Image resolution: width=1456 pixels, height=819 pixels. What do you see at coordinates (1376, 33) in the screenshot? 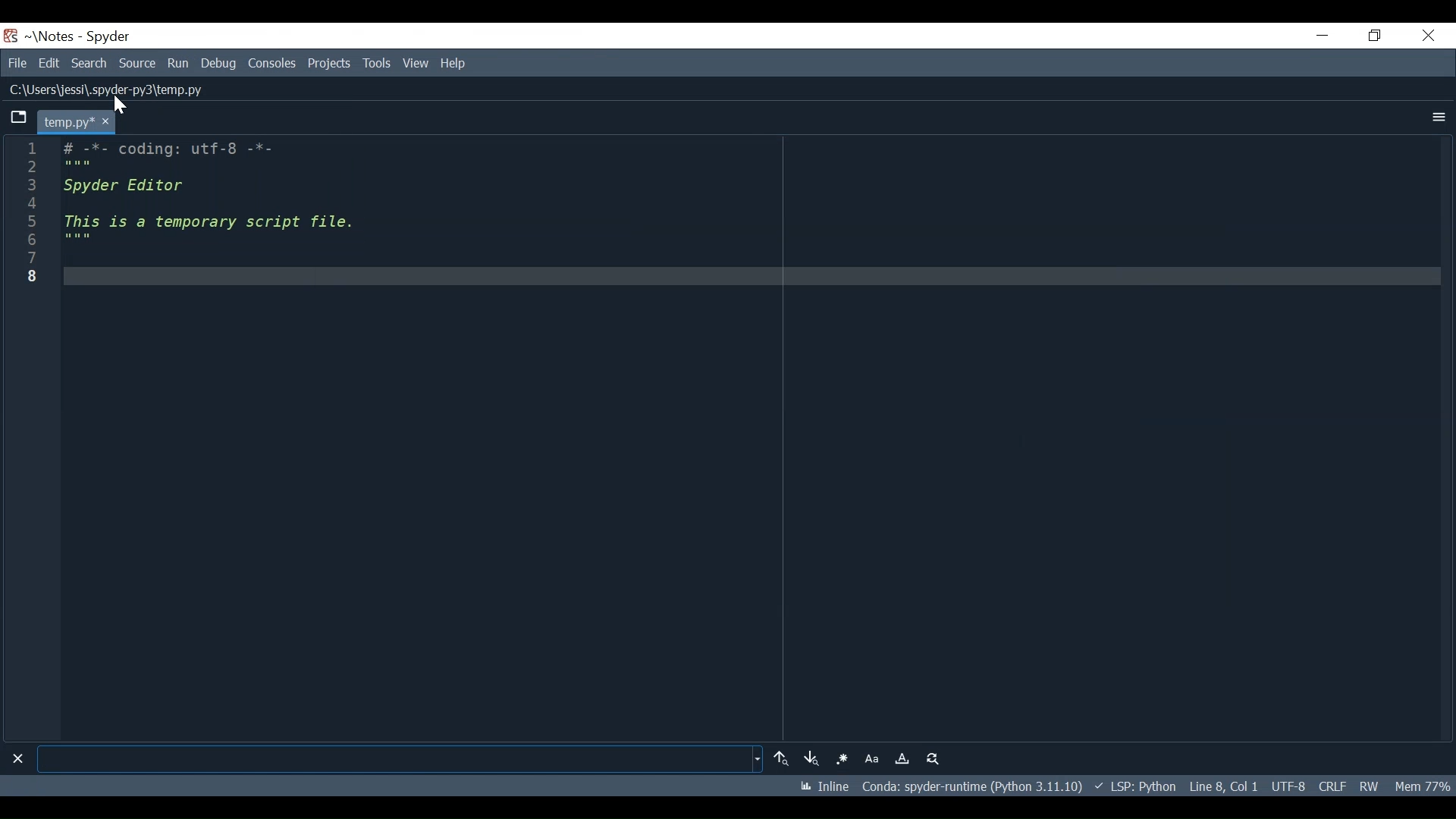
I see `Restore` at bounding box center [1376, 33].